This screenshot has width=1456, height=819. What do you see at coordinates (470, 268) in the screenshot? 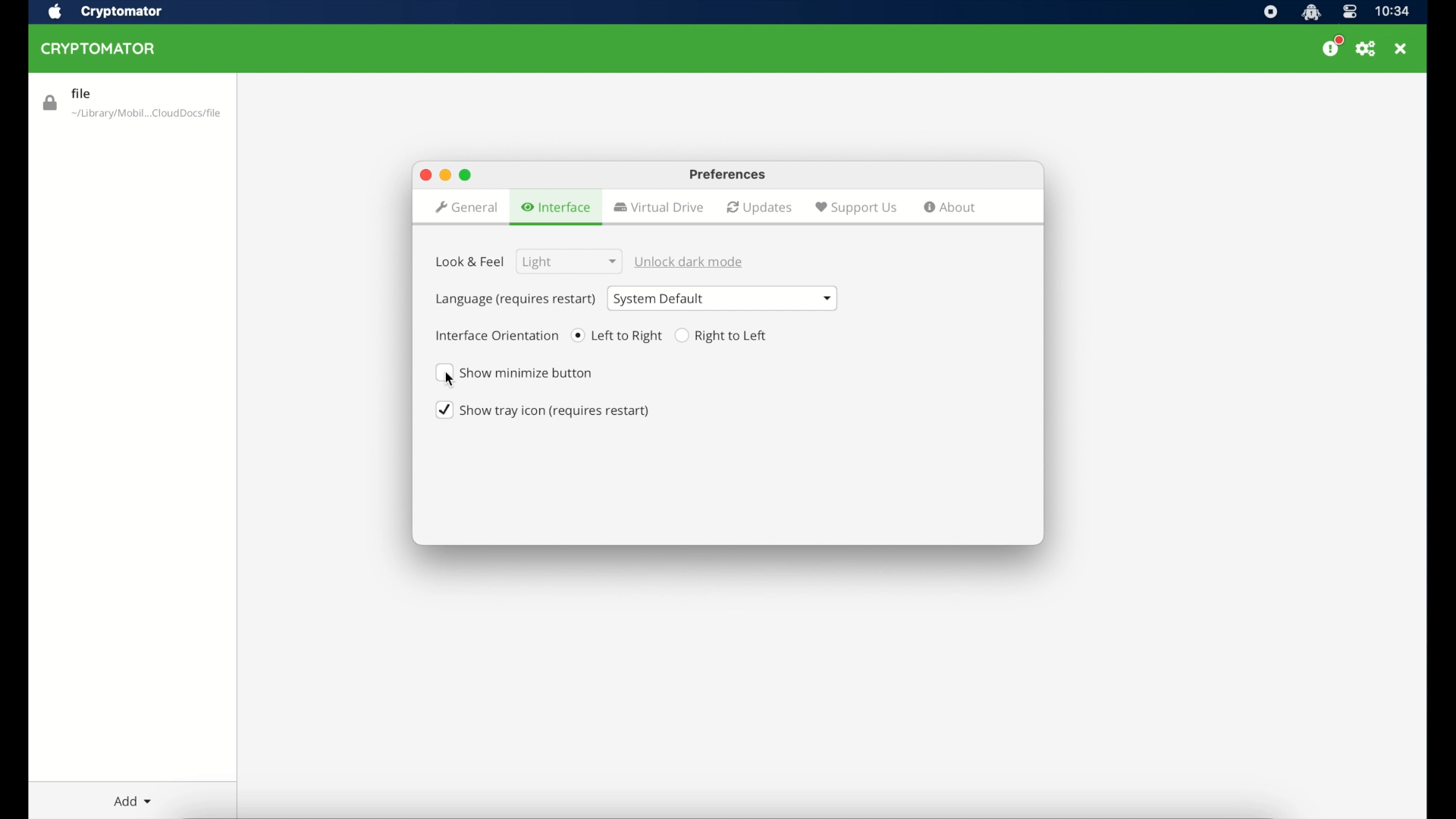
I see `look and feel` at bounding box center [470, 268].